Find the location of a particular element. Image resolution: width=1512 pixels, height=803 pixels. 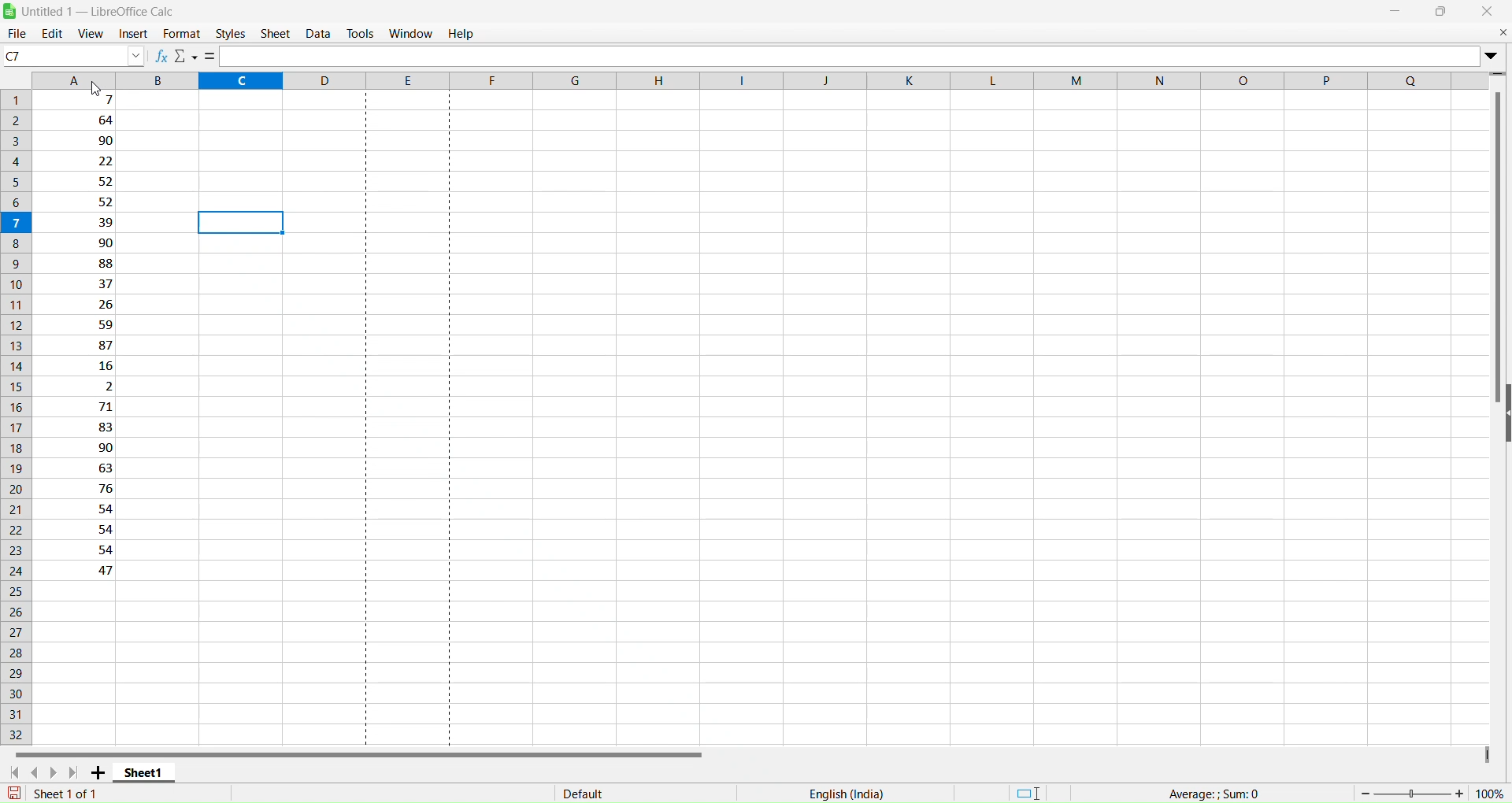

Function Wizard is located at coordinates (161, 56).